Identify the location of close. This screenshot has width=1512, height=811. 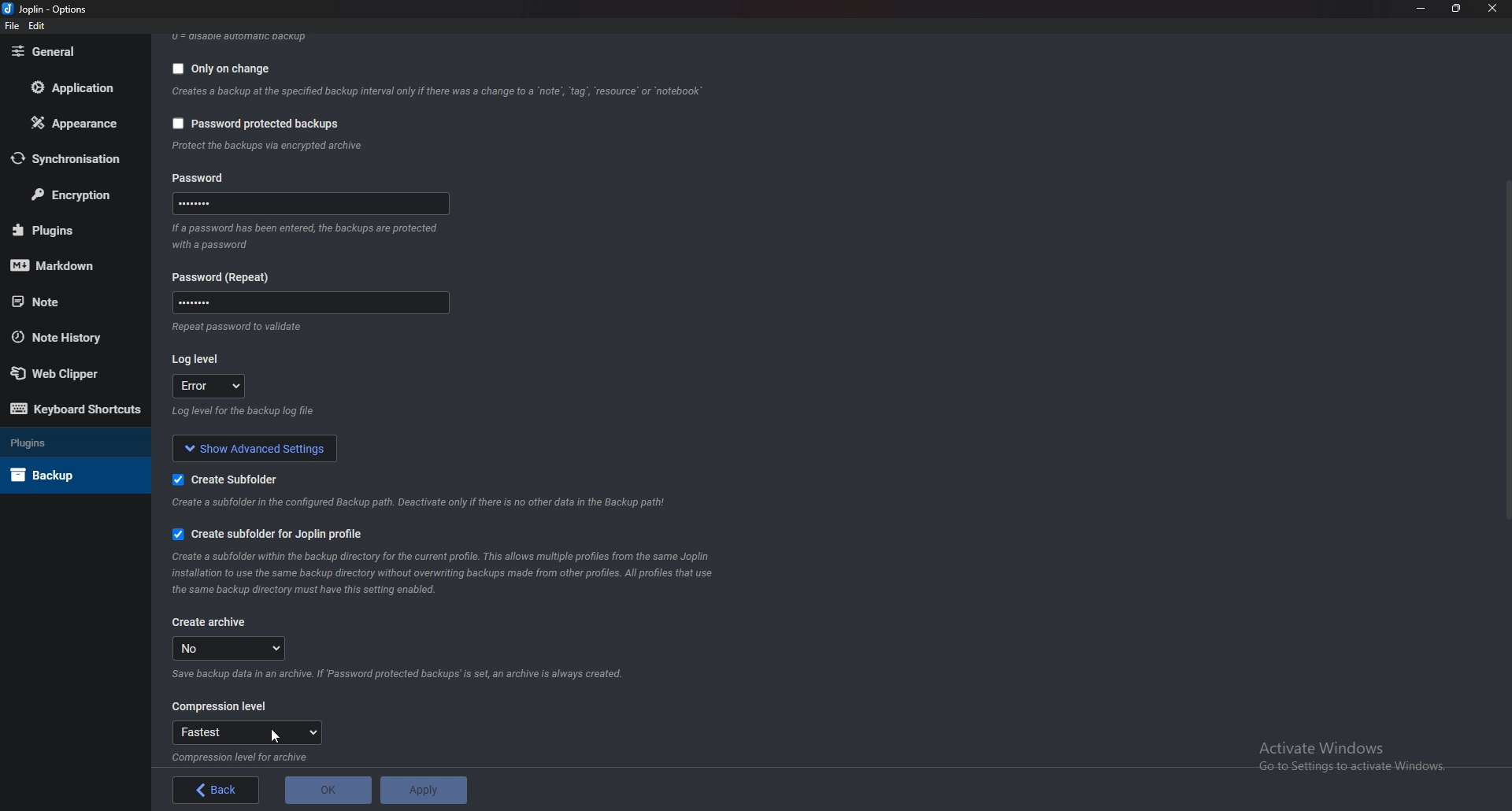
(1495, 8).